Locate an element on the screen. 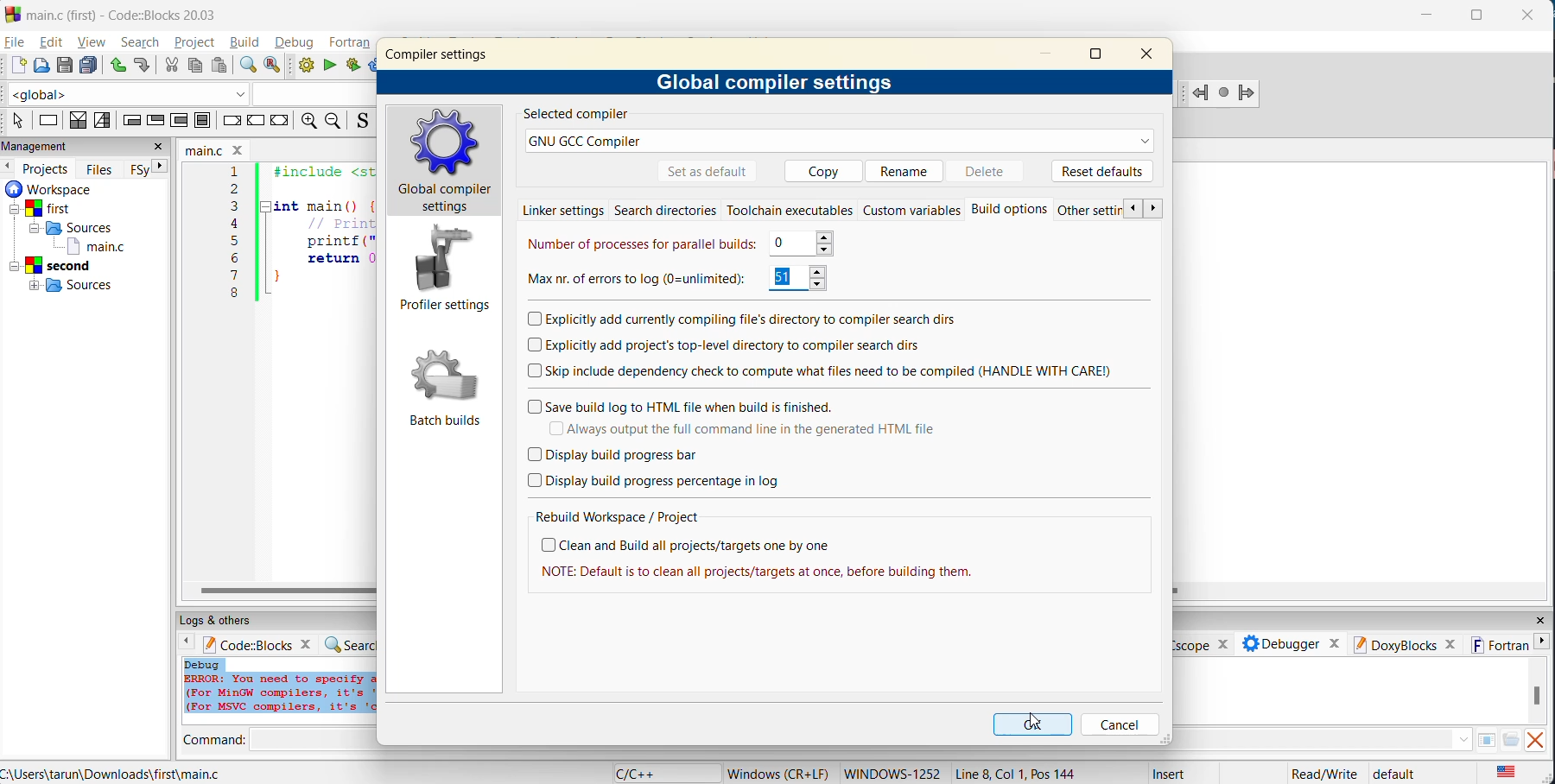 This screenshot has height=784, width=1555. display build progress percentage in log is located at coordinates (661, 483).